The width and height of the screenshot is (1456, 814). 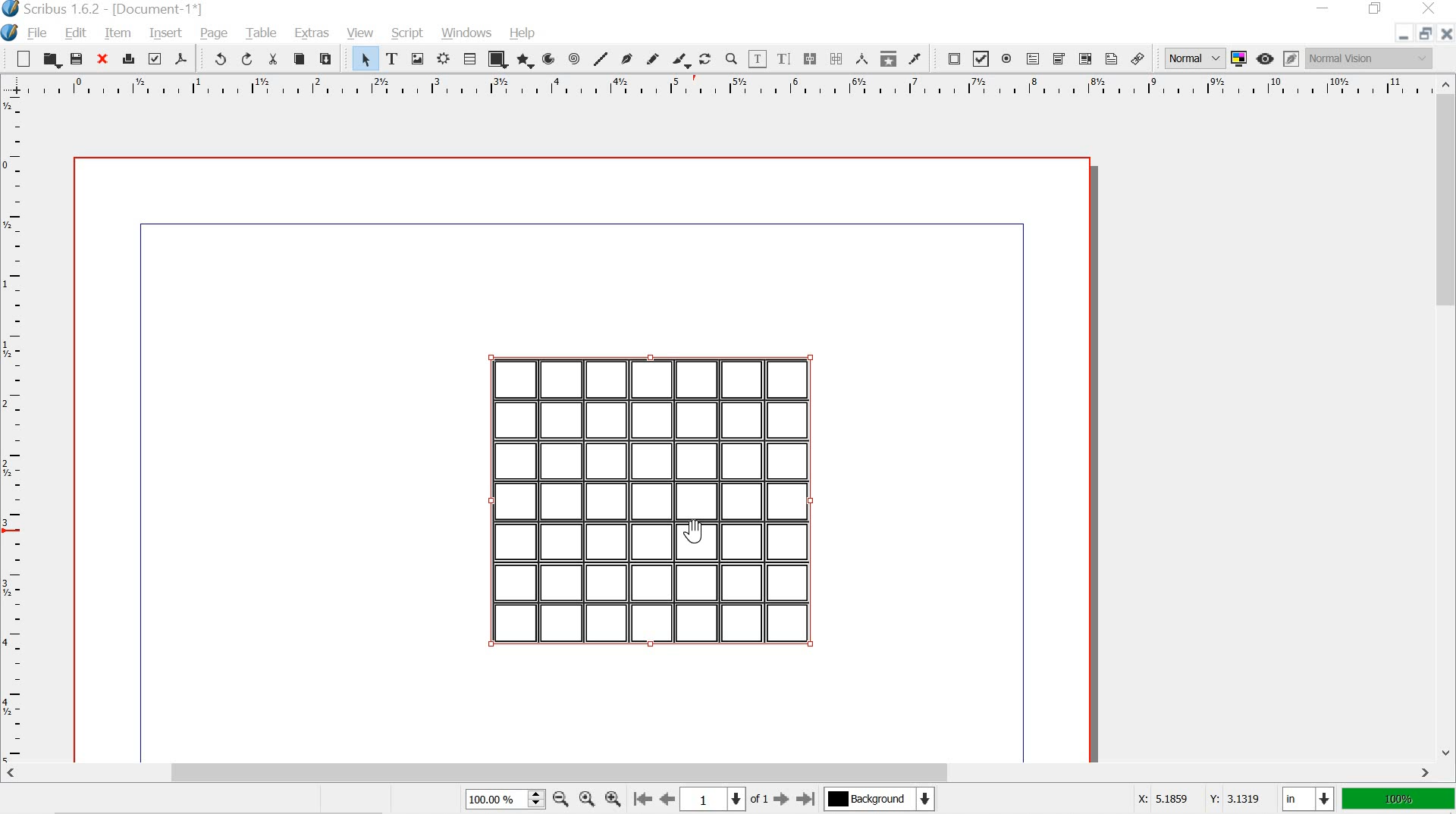 What do you see at coordinates (982, 58) in the screenshot?
I see `pdf check box` at bounding box center [982, 58].